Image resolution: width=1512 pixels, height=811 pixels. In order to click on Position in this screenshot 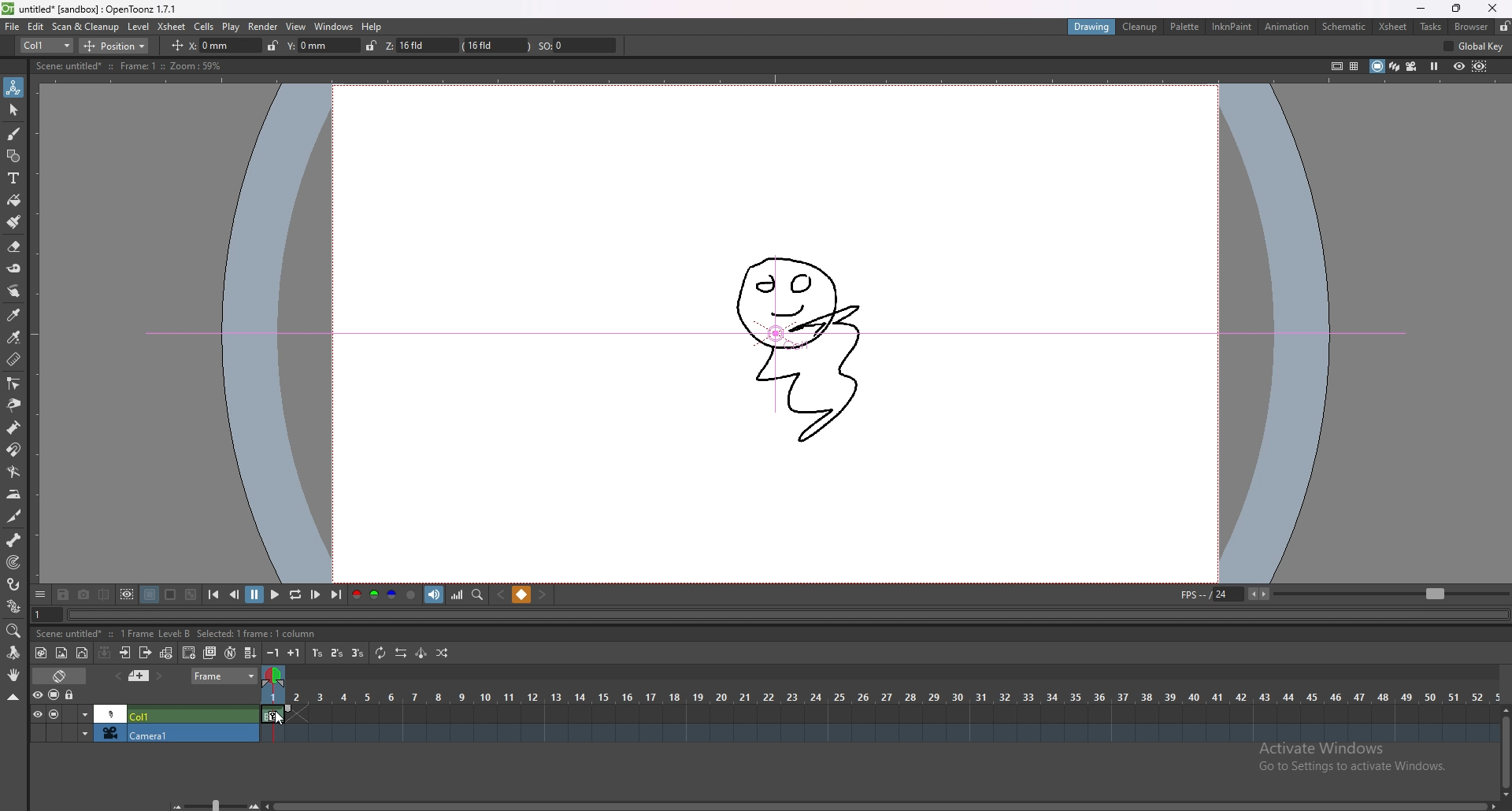, I will do `click(120, 44)`.